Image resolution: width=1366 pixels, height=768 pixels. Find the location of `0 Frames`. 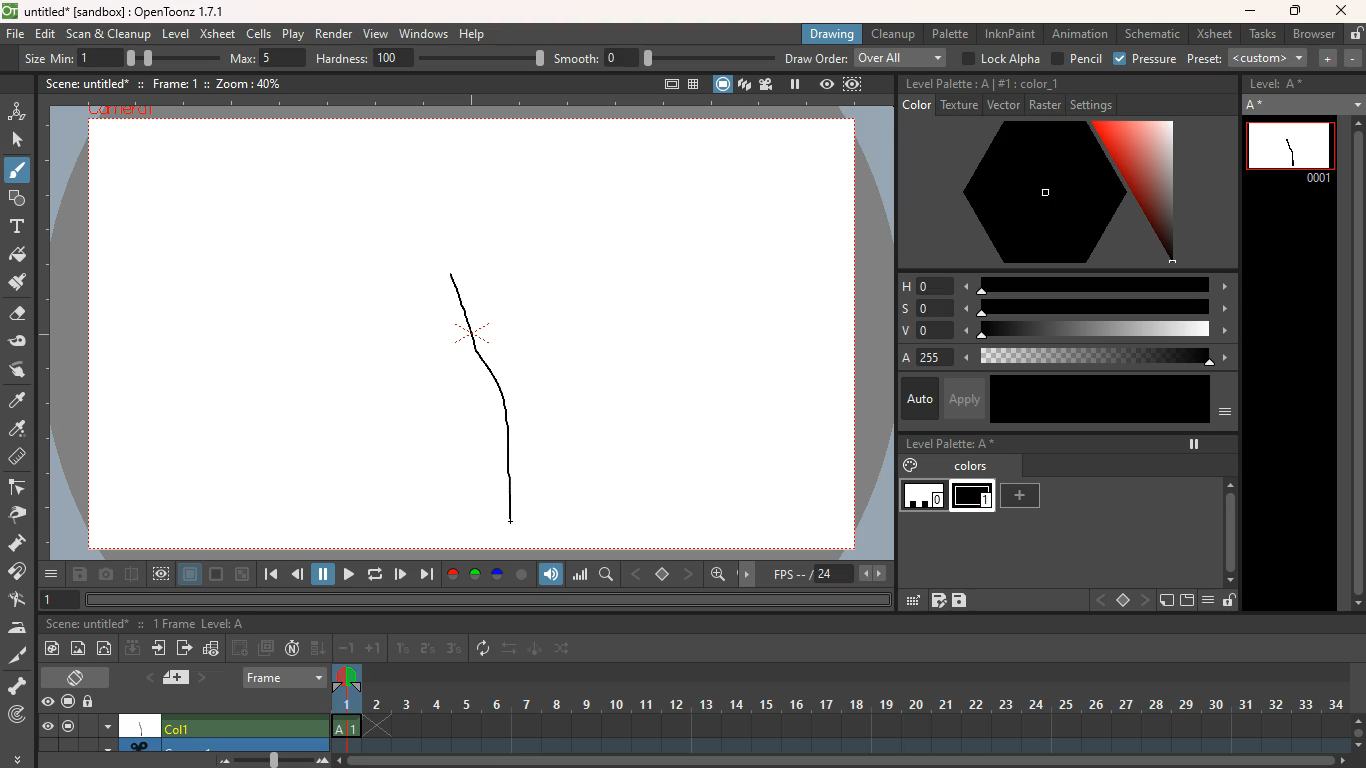

0 Frames is located at coordinates (173, 624).